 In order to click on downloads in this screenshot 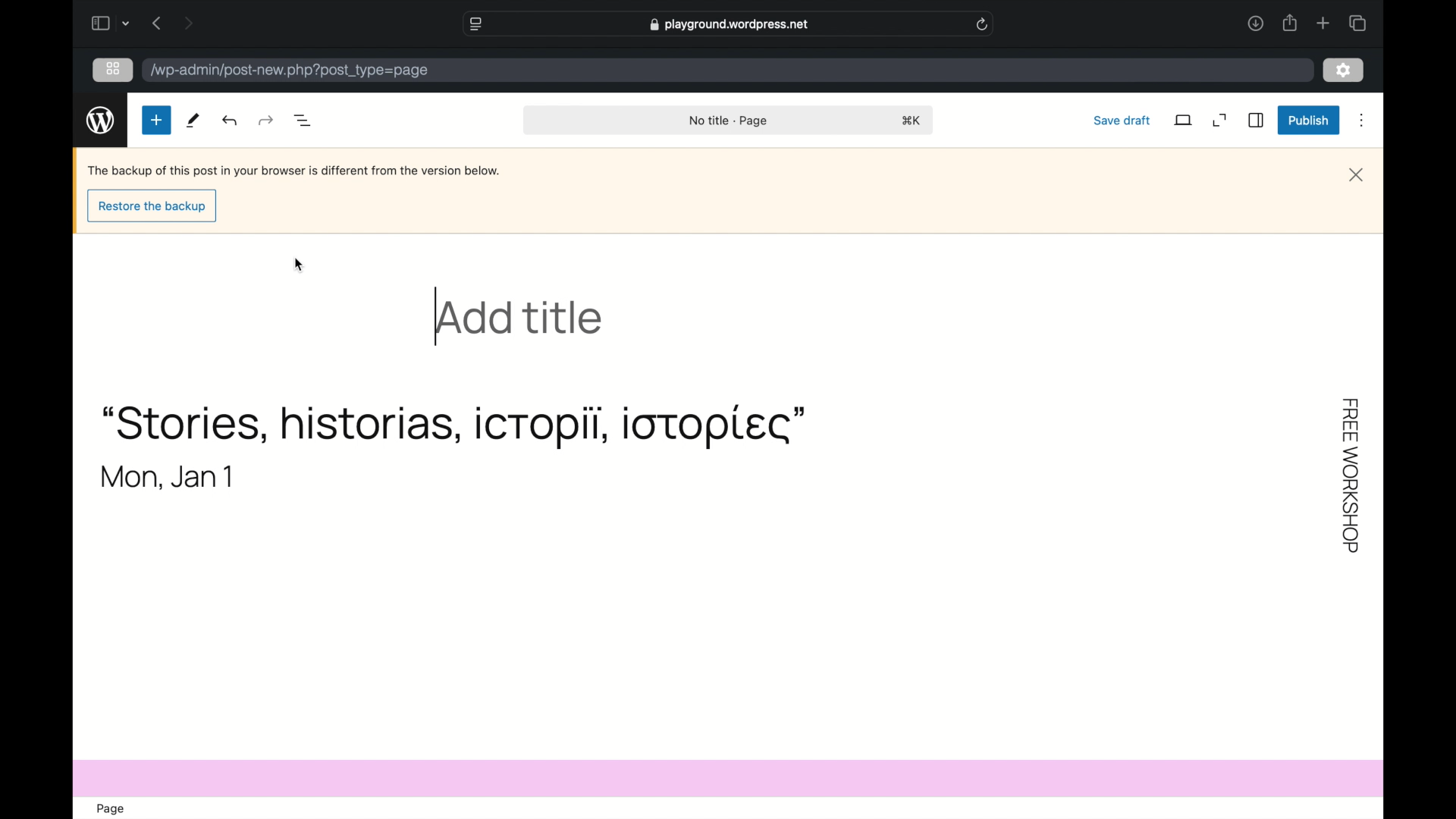, I will do `click(1255, 23)`.